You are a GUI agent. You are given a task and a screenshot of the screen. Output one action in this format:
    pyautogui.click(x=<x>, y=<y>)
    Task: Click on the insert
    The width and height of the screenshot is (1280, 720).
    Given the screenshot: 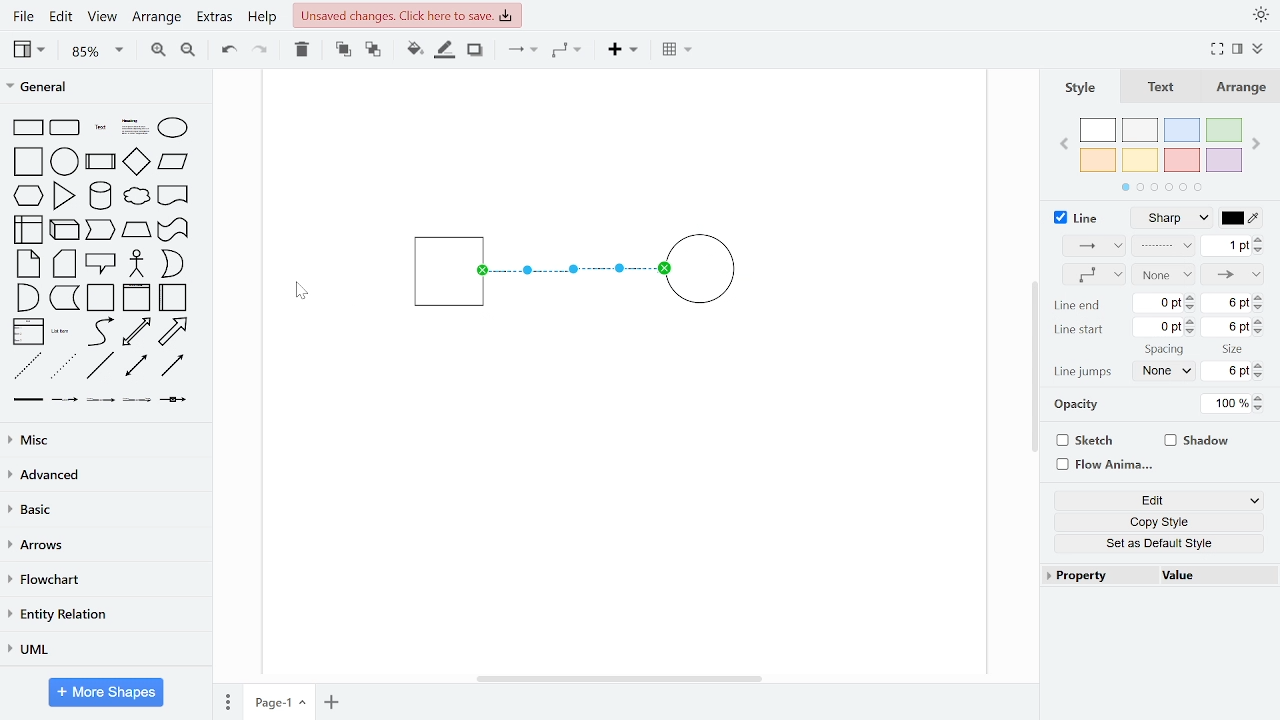 What is the action you would take?
    pyautogui.click(x=628, y=50)
    